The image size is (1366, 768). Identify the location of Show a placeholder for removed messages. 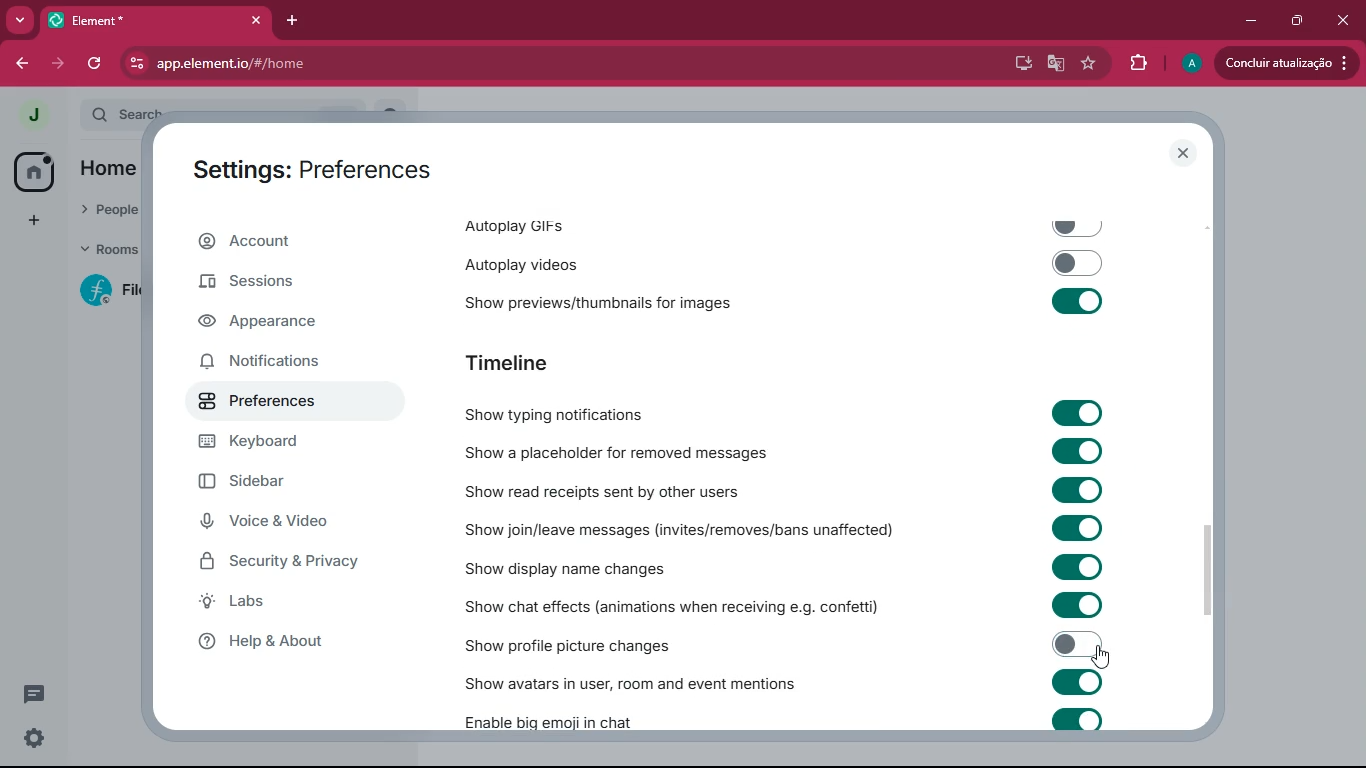
(789, 452).